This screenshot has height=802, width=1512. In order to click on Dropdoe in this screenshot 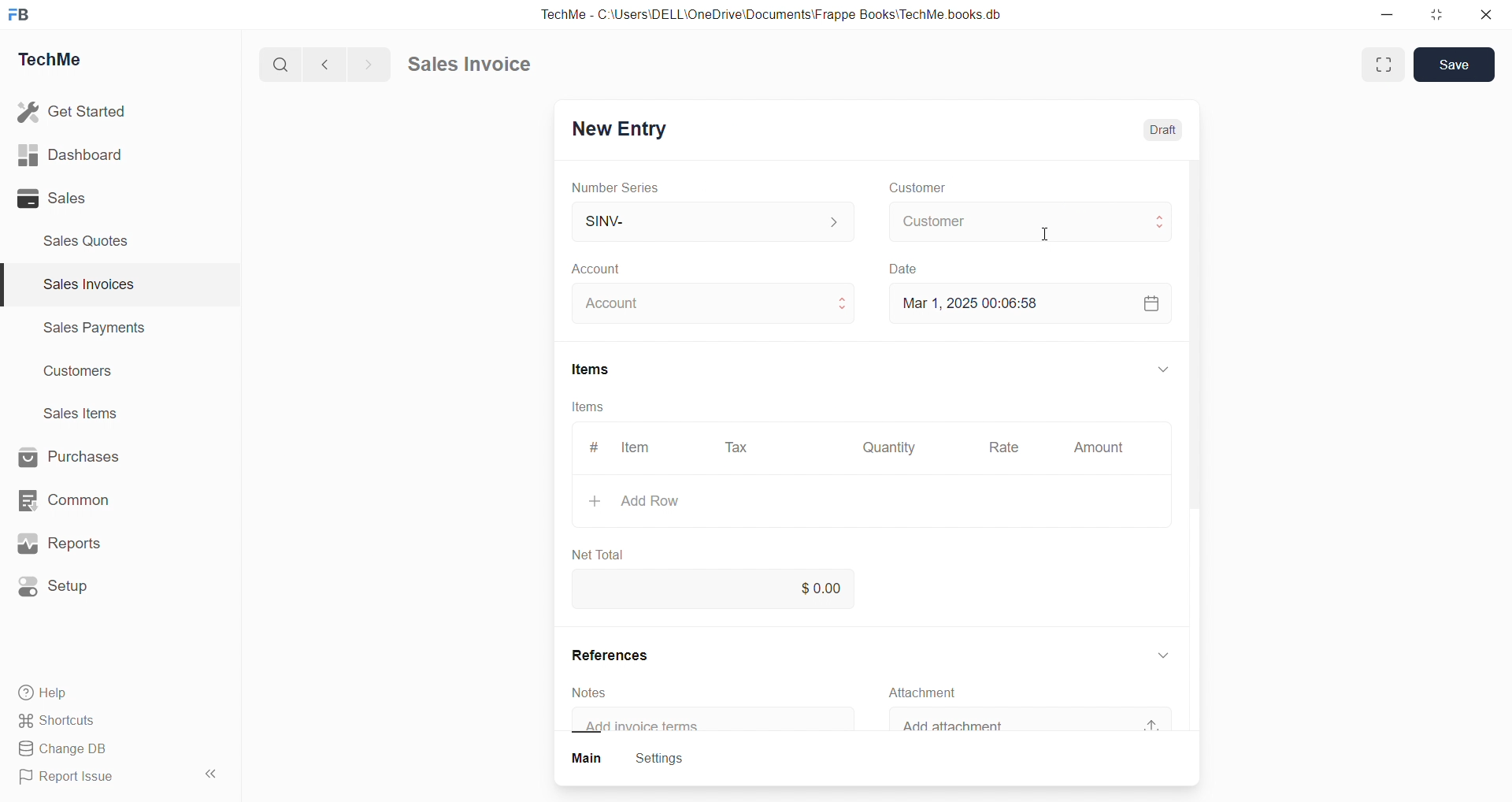, I will do `click(1169, 652)`.